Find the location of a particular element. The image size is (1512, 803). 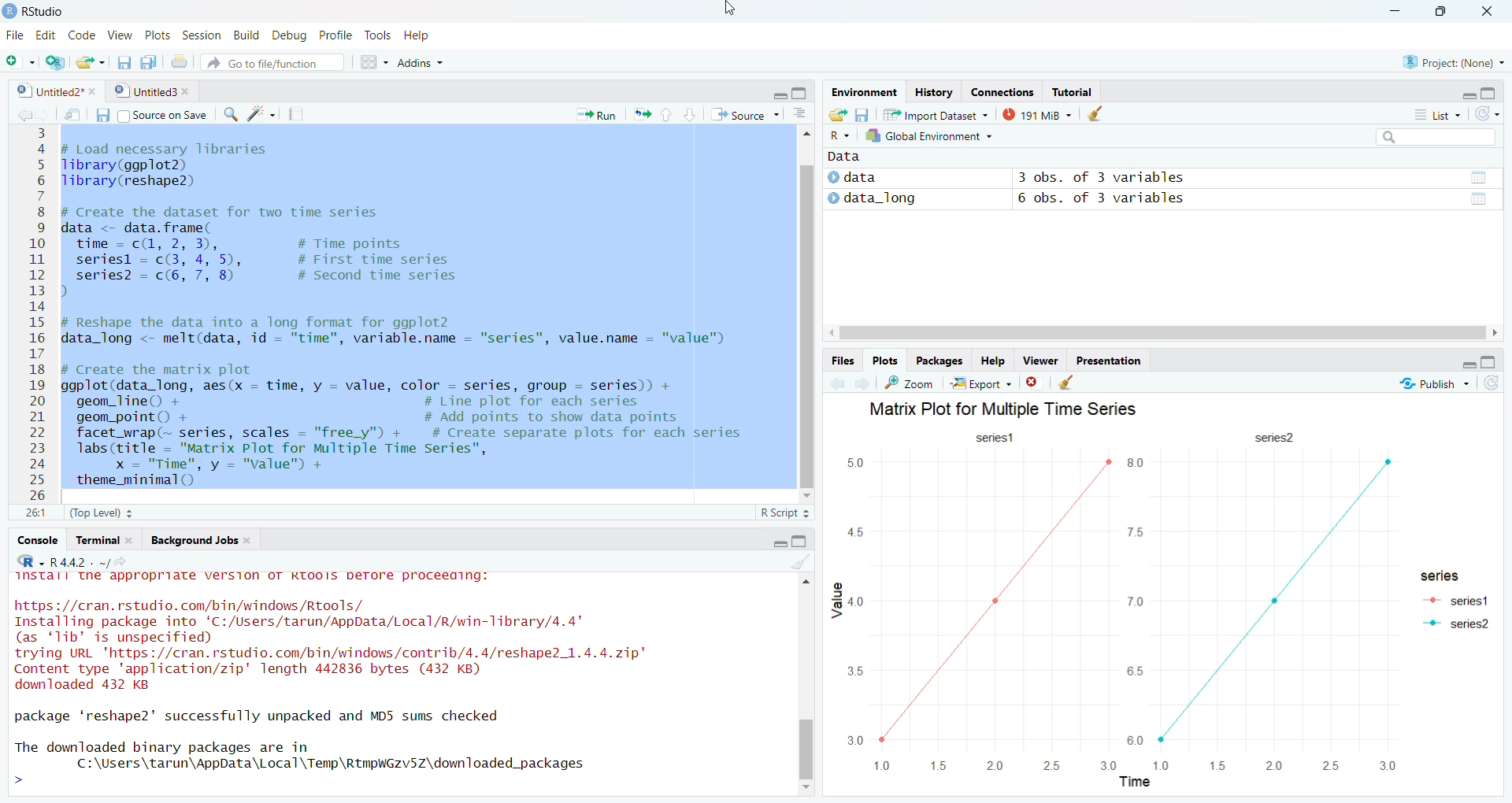

open an existing file is located at coordinates (91, 61).